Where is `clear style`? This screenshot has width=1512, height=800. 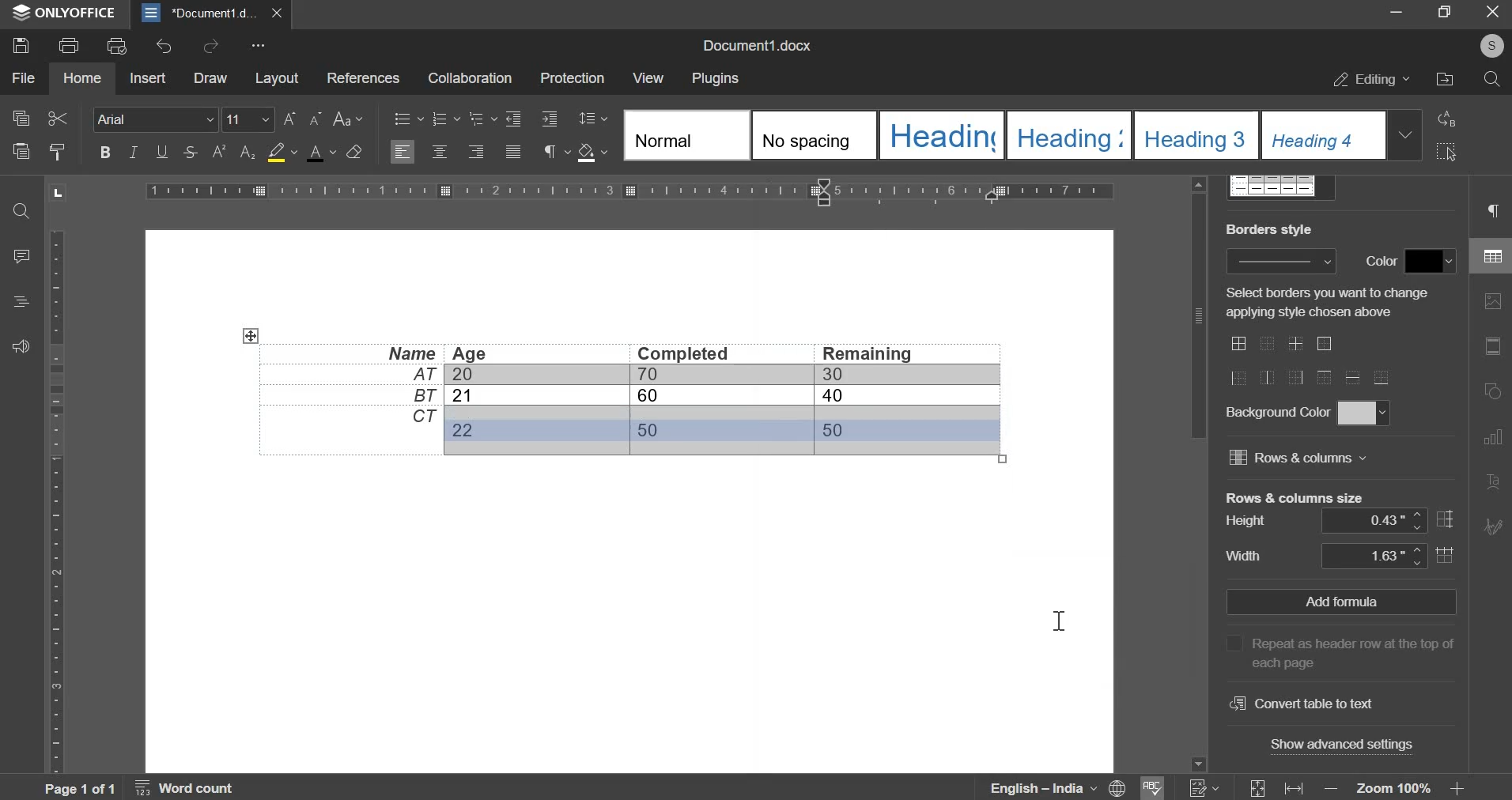 clear style is located at coordinates (354, 150).